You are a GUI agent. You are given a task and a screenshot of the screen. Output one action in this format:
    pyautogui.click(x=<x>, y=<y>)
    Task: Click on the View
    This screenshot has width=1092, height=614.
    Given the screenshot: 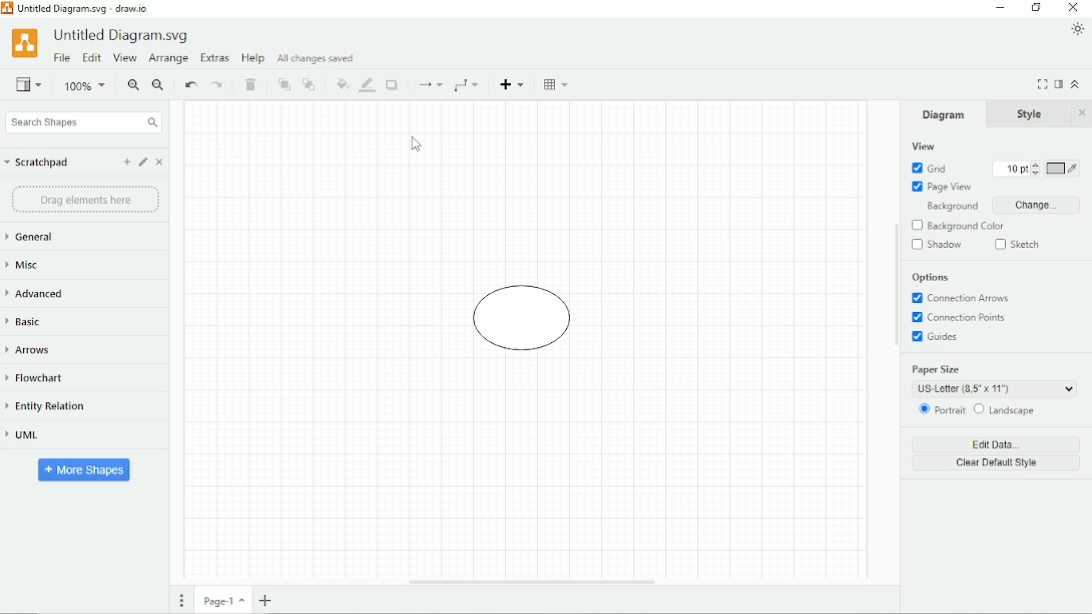 What is the action you would take?
    pyautogui.click(x=29, y=84)
    